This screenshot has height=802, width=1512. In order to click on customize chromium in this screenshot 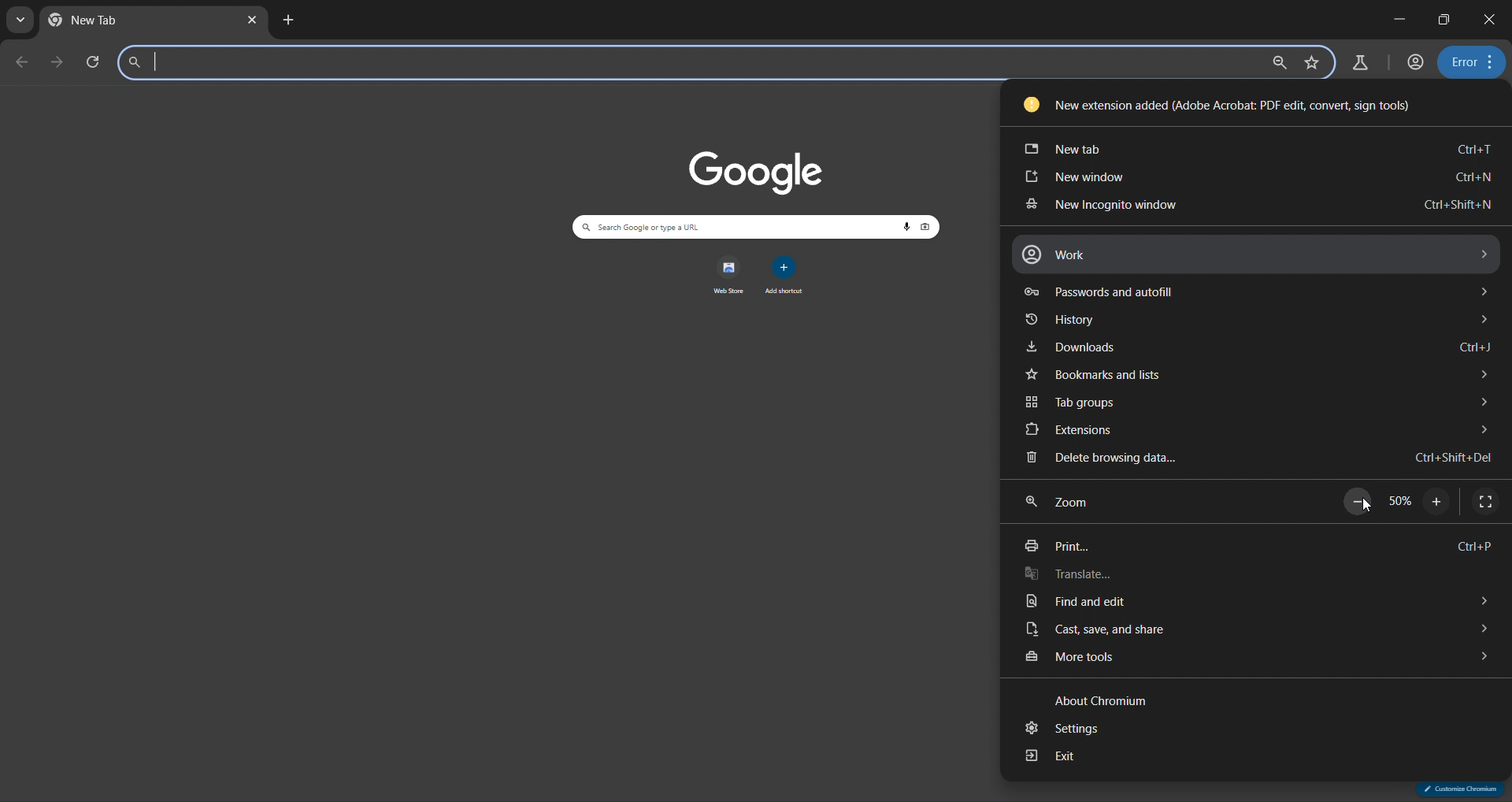, I will do `click(1458, 789)`.